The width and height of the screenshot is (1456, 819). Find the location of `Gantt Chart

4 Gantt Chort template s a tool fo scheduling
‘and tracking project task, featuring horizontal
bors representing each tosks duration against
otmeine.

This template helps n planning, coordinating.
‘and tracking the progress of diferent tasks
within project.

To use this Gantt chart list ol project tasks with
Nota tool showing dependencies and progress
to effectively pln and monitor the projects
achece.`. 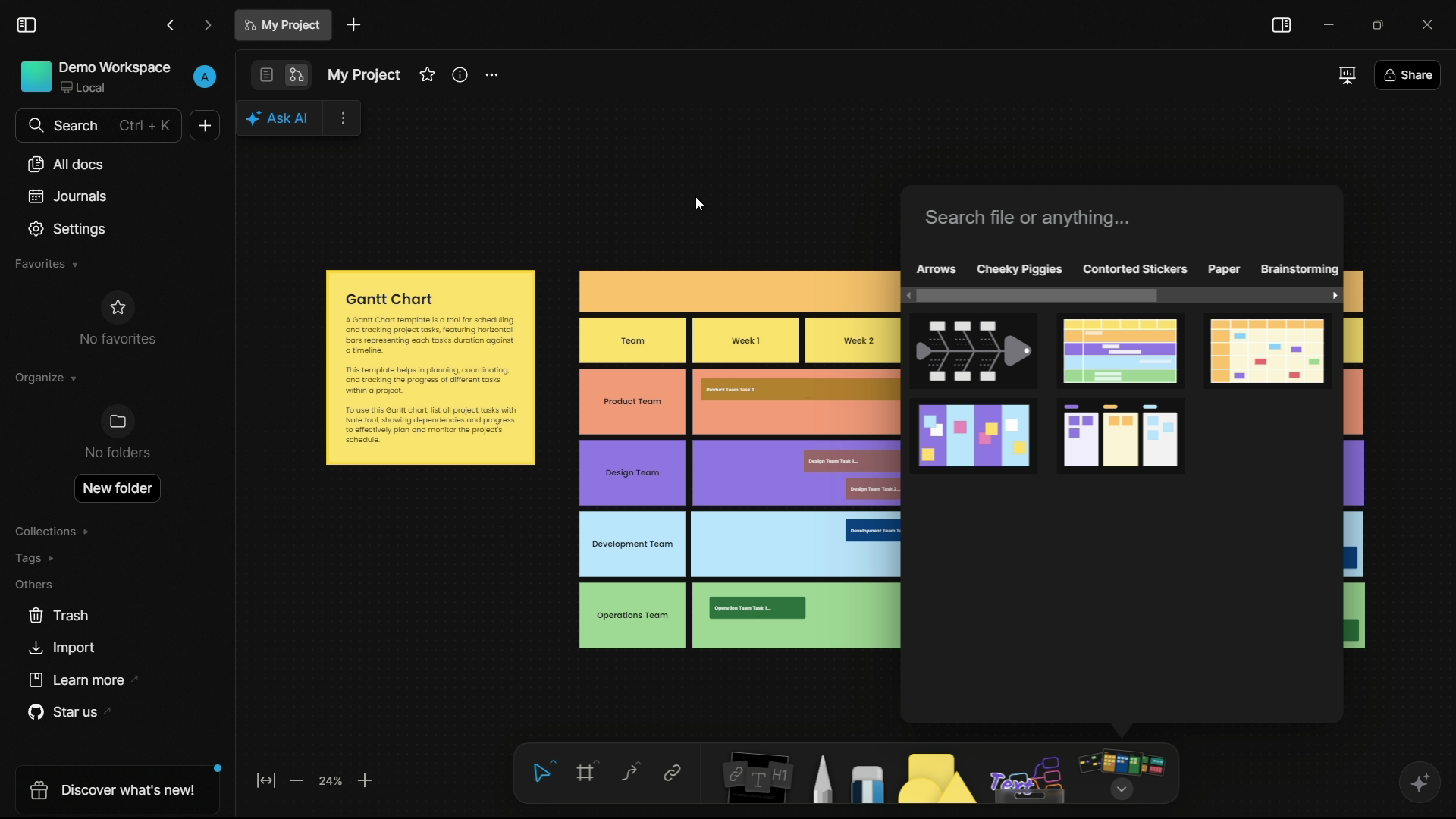

Gantt Chart

4 Gantt Chort template s a tool fo scheduling
‘and tracking project task, featuring horizontal
bors representing each tosks duration against
otmeine.

This template helps n planning, coordinating.
‘and tracking the progress of diferent tasks
within project.

To use this Gantt chart list ol project tasks with
Nota tool showing dependencies and progress
to effectively pln and monitor the projects
achece. is located at coordinates (431, 367).